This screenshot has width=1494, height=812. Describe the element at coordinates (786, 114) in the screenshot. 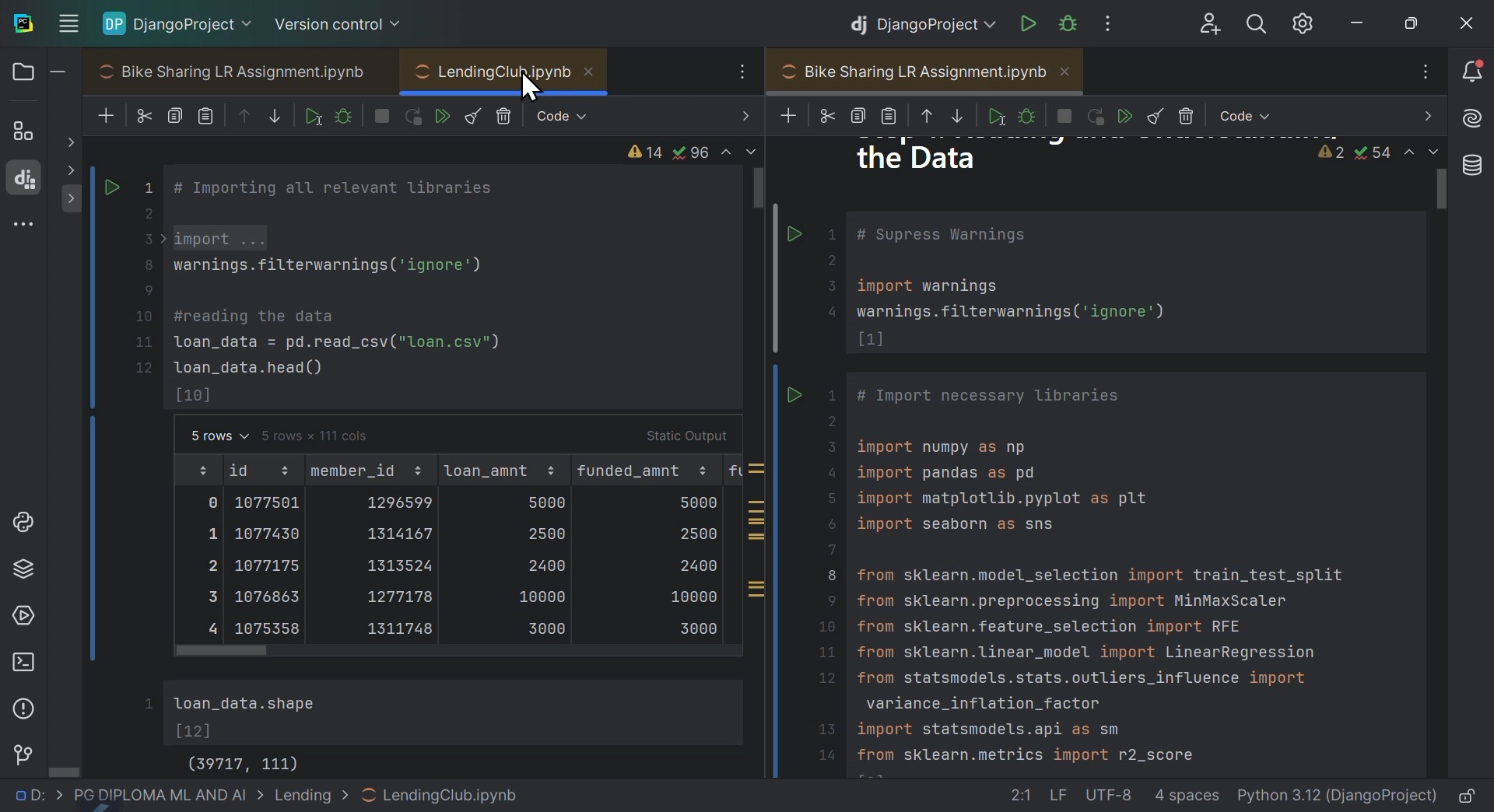

I see `` at that location.